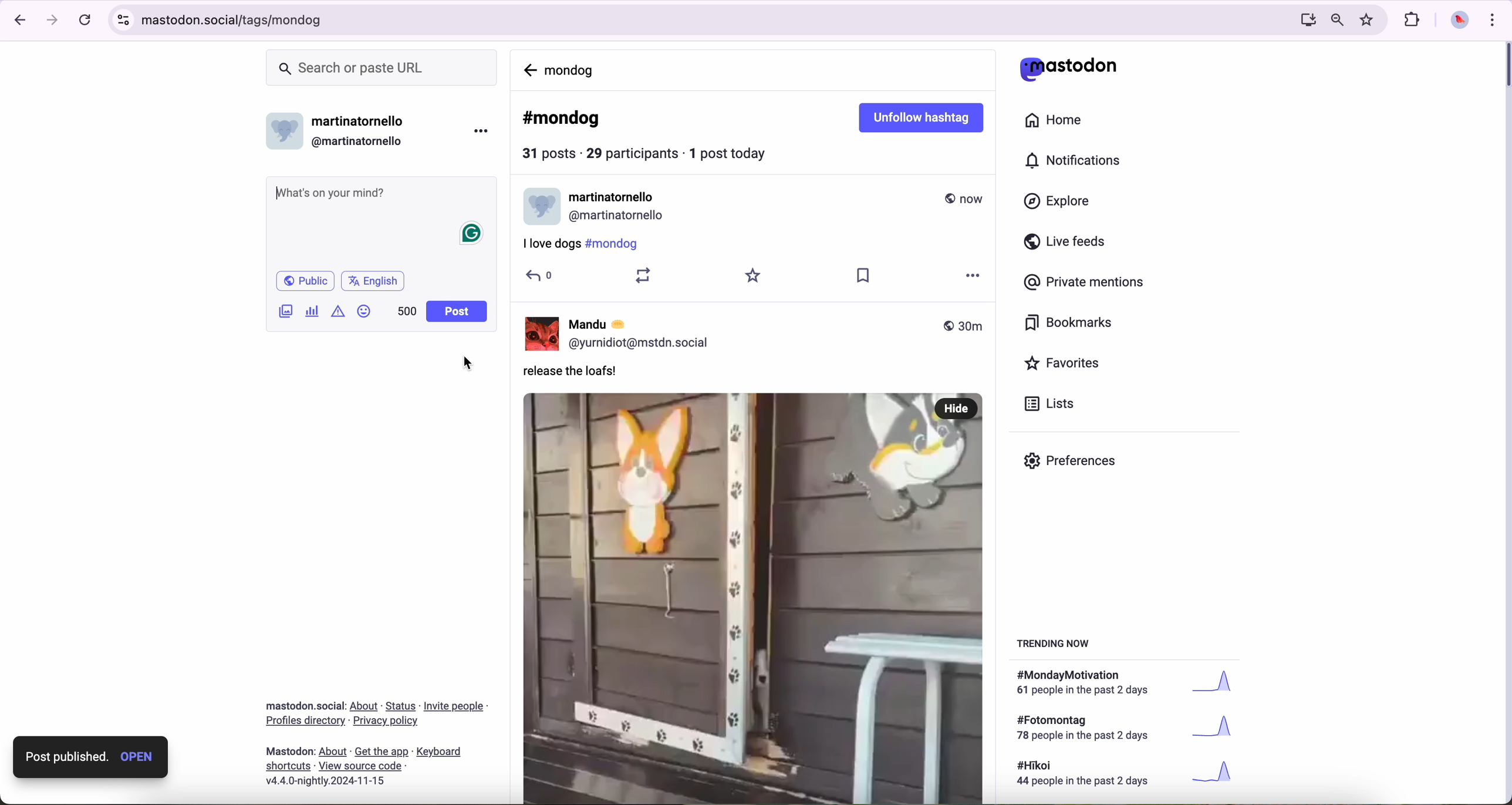 Image resolution: width=1512 pixels, height=805 pixels. What do you see at coordinates (457, 311) in the screenshot?
I see `post button` at bounding box center [457, 311].